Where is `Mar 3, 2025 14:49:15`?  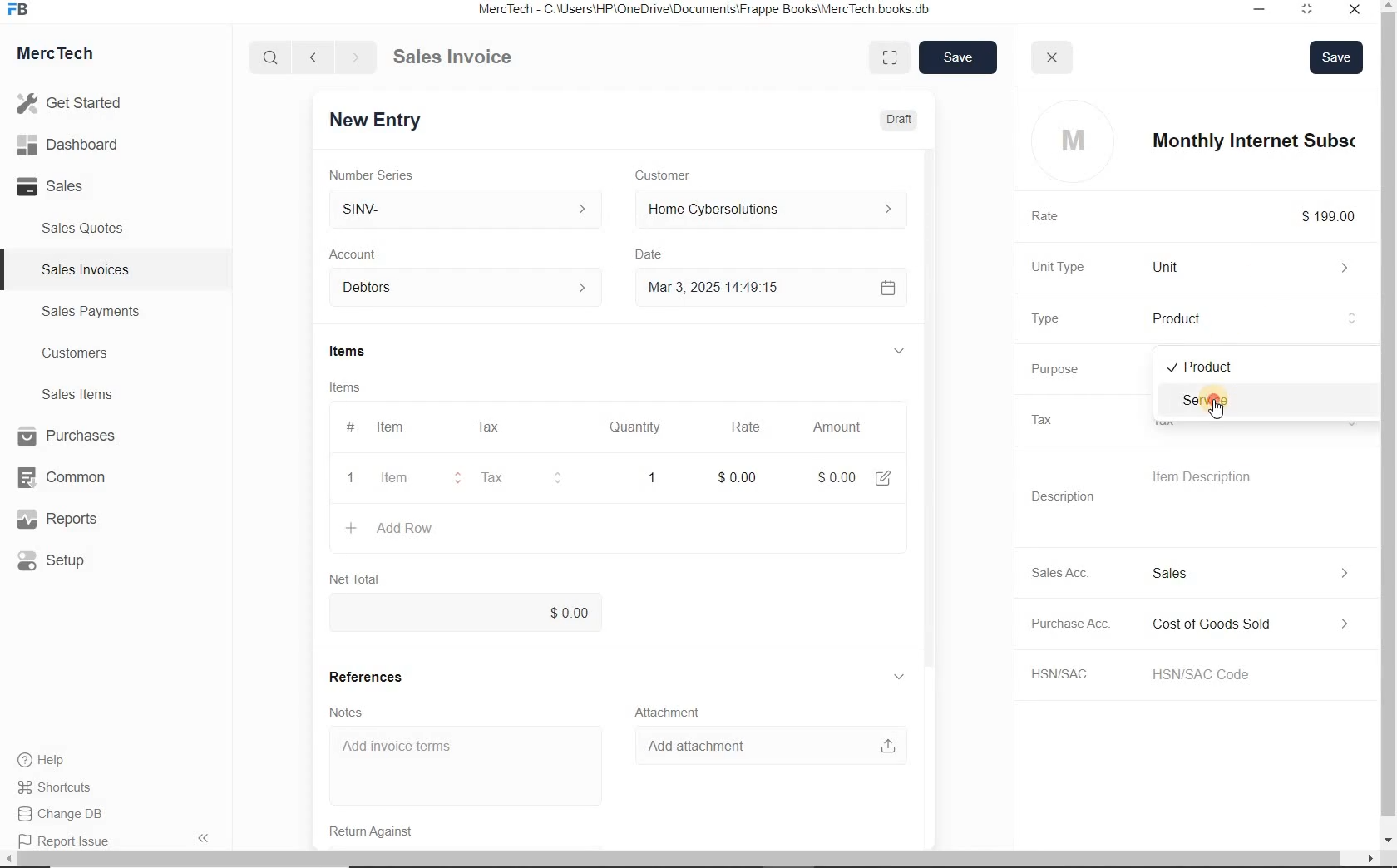 Mar 3, 2025 14:49:15 is located at coordinates (719, 289).